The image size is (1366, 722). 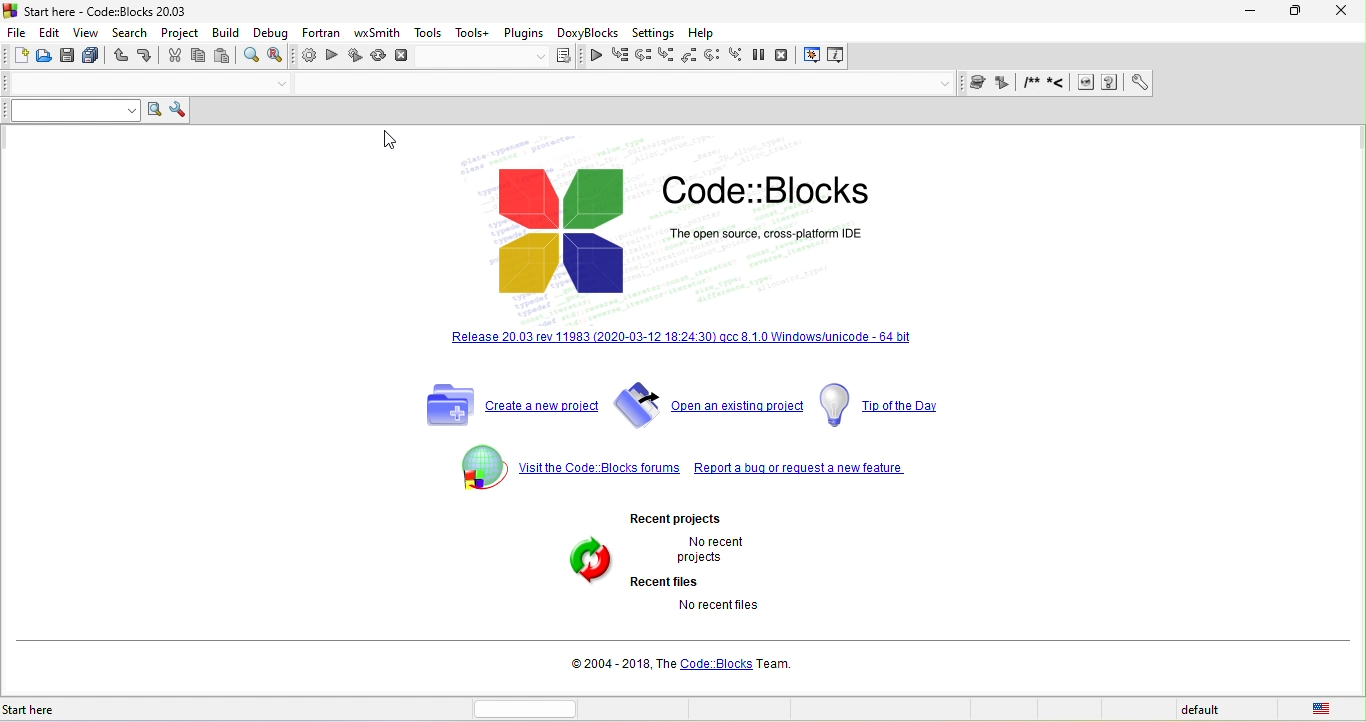 What do you see at coordinates (839, 55) in the screenshot?
I see `various info` at bounding box center [839, 55].